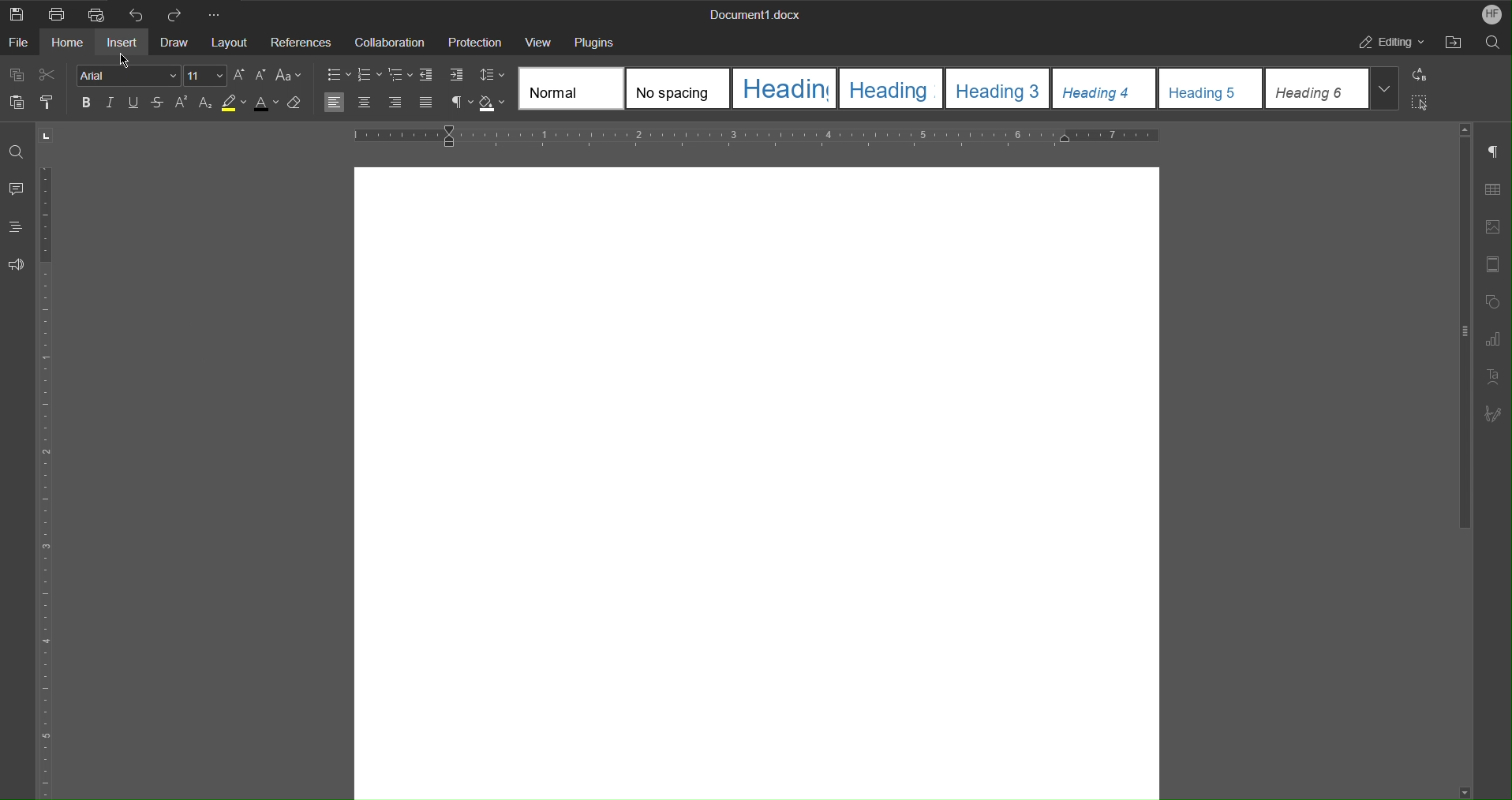  What do you see at coordinates (260, 77) in the screenshot?
I see `Decrease size` at bounding box center [260, 77].